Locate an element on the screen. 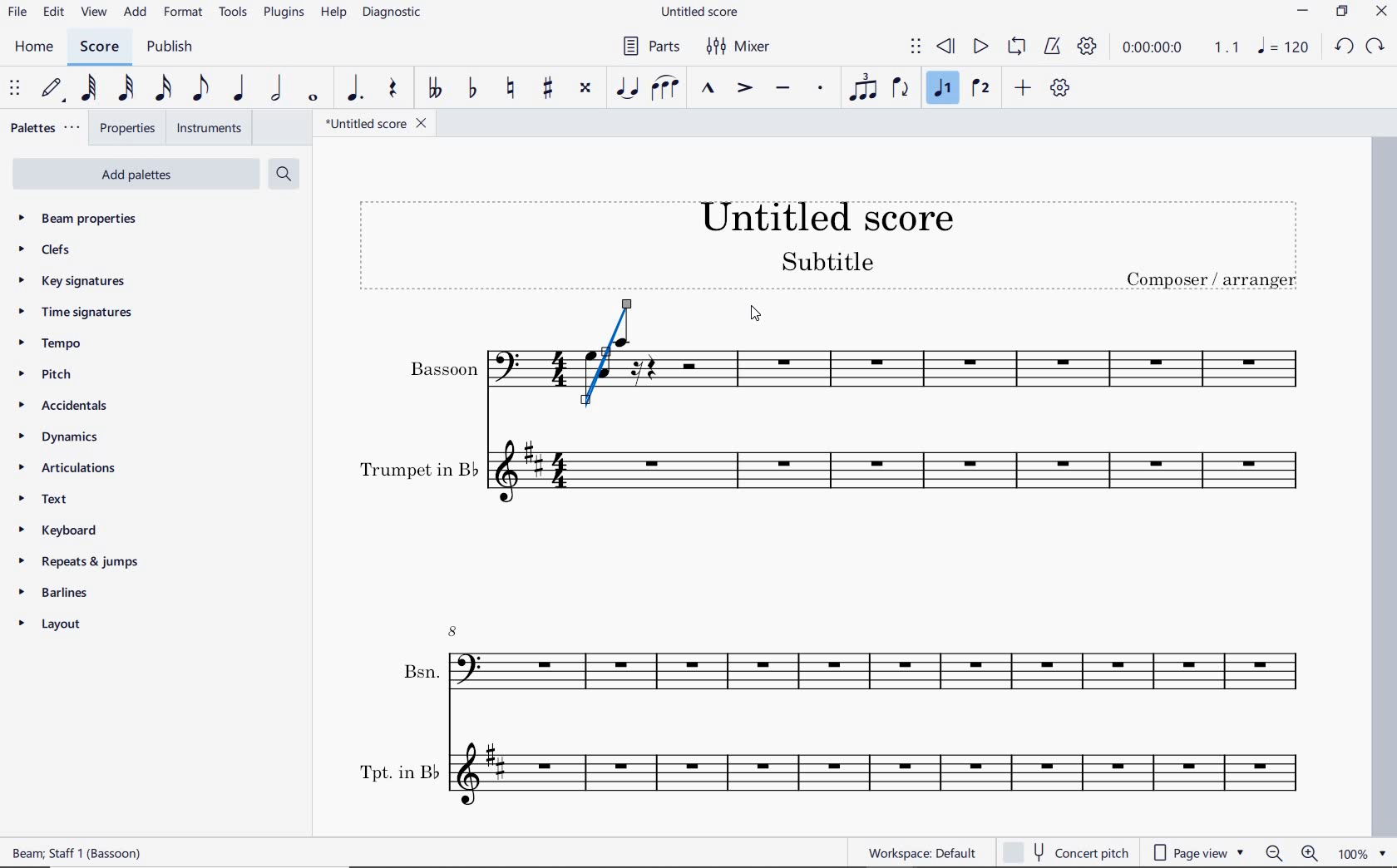 The width and height of the screenshot is (1397, 868). quarter note is located at coordinates (239, 89).